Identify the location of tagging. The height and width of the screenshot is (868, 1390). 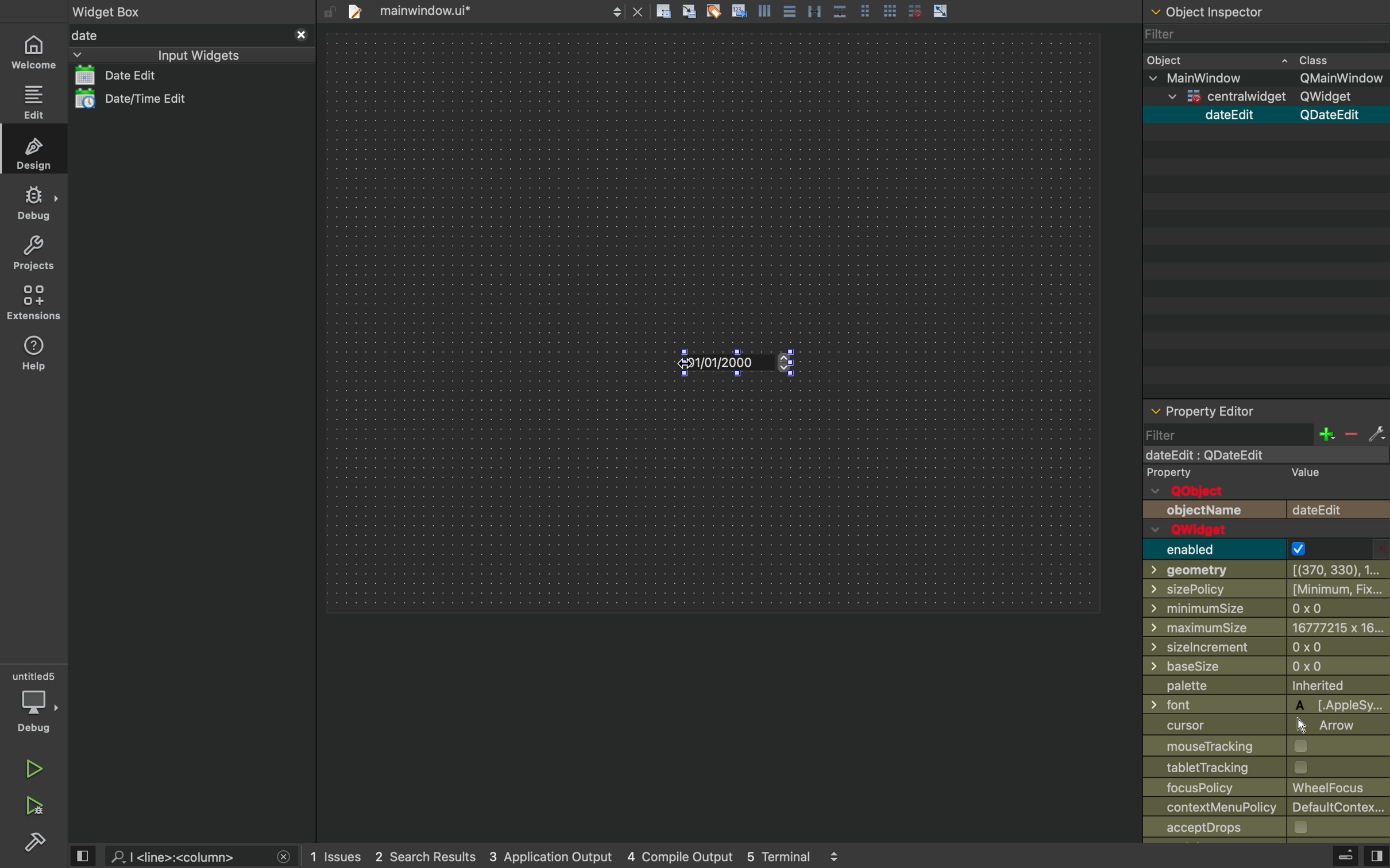
(713, 10).